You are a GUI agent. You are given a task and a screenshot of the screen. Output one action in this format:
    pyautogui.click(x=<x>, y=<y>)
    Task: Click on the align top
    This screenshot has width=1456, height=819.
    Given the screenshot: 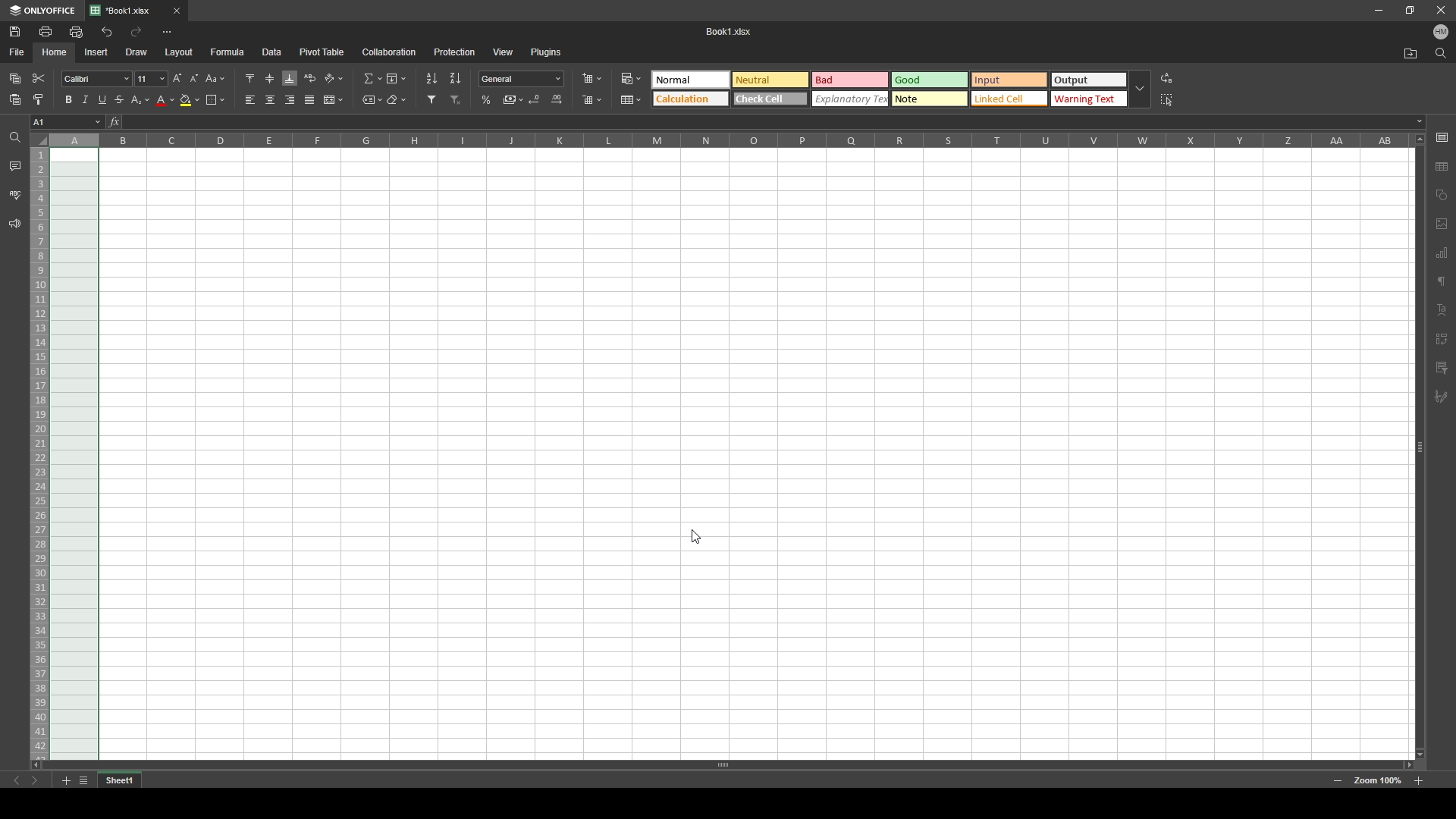 What is the action you would take?
    pyautogui.click(x=250, y=77)
    